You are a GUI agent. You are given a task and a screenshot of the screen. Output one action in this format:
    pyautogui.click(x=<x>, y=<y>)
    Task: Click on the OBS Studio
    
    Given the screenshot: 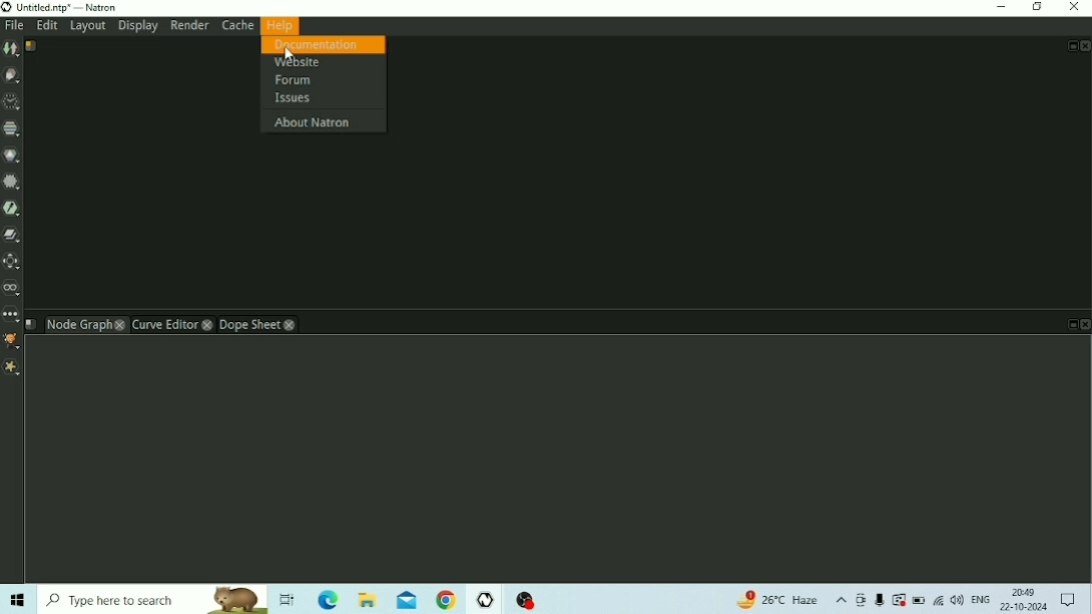 What is the action you would take?
    pyautogui.click(x=529, y=600)
    